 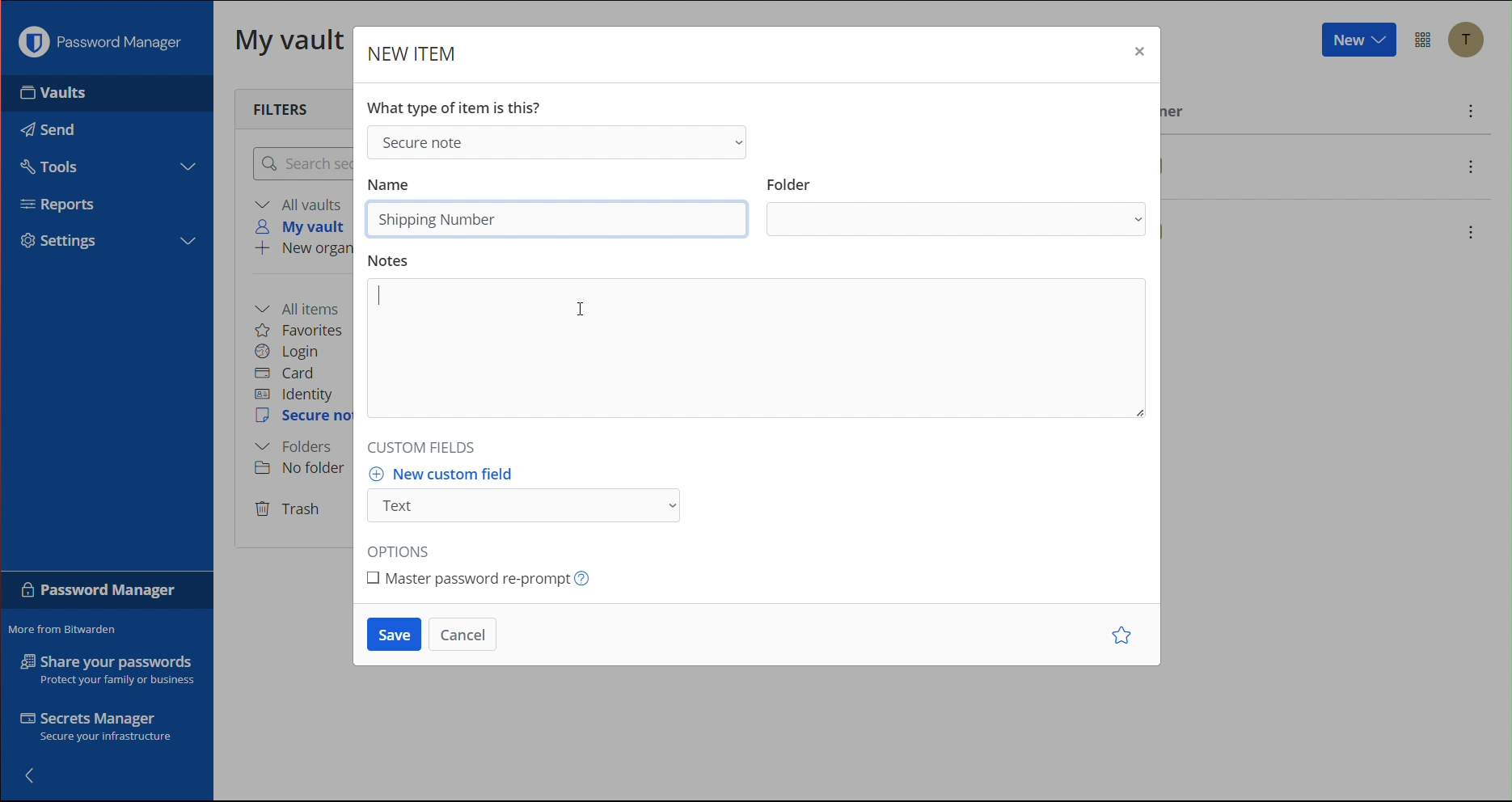 What do you see at coordinates (760, 340) in the screenshot?
I see `Notes` at bounding box center [760, 340].